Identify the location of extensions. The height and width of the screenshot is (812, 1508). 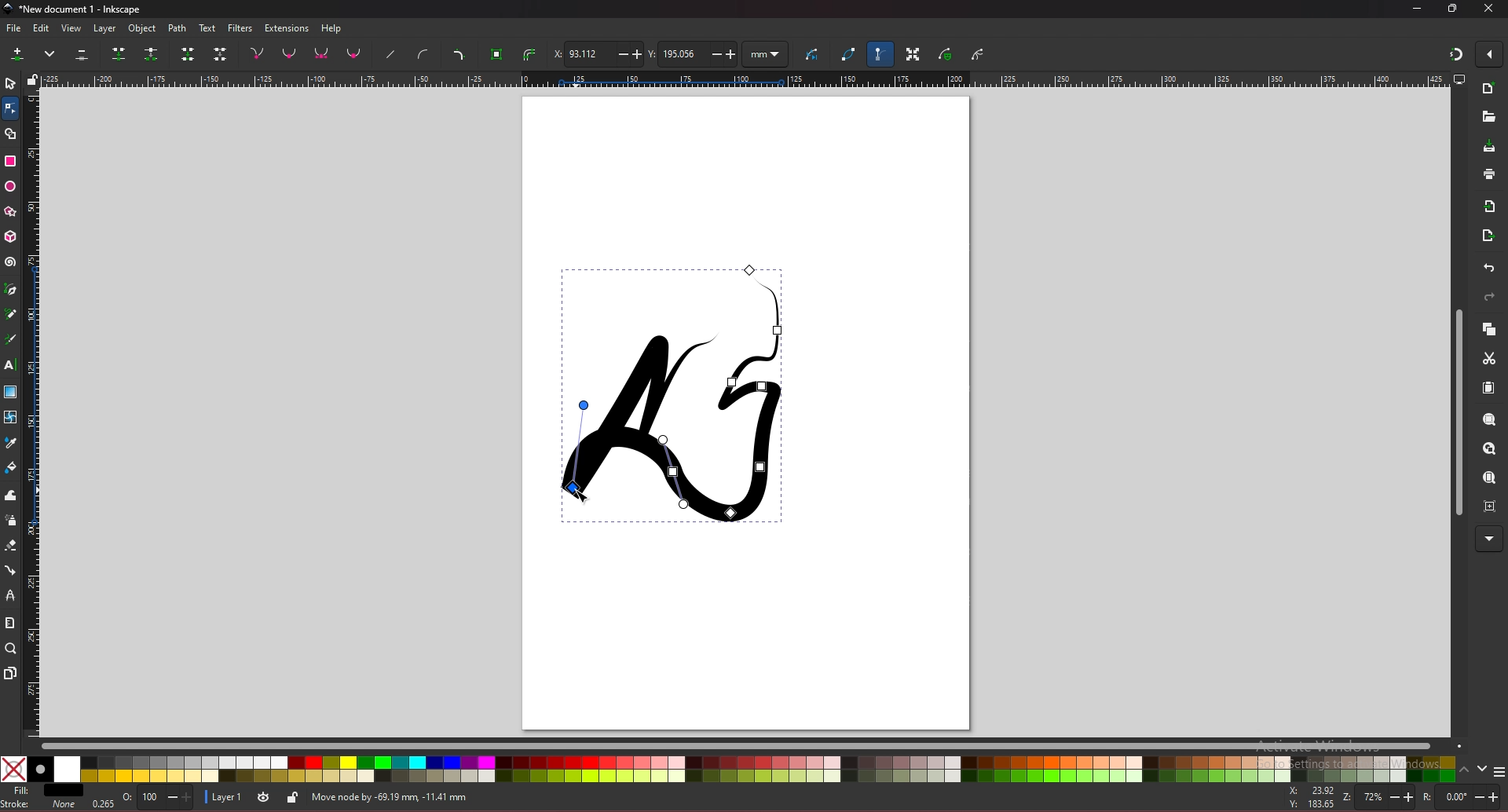
(287, 28).